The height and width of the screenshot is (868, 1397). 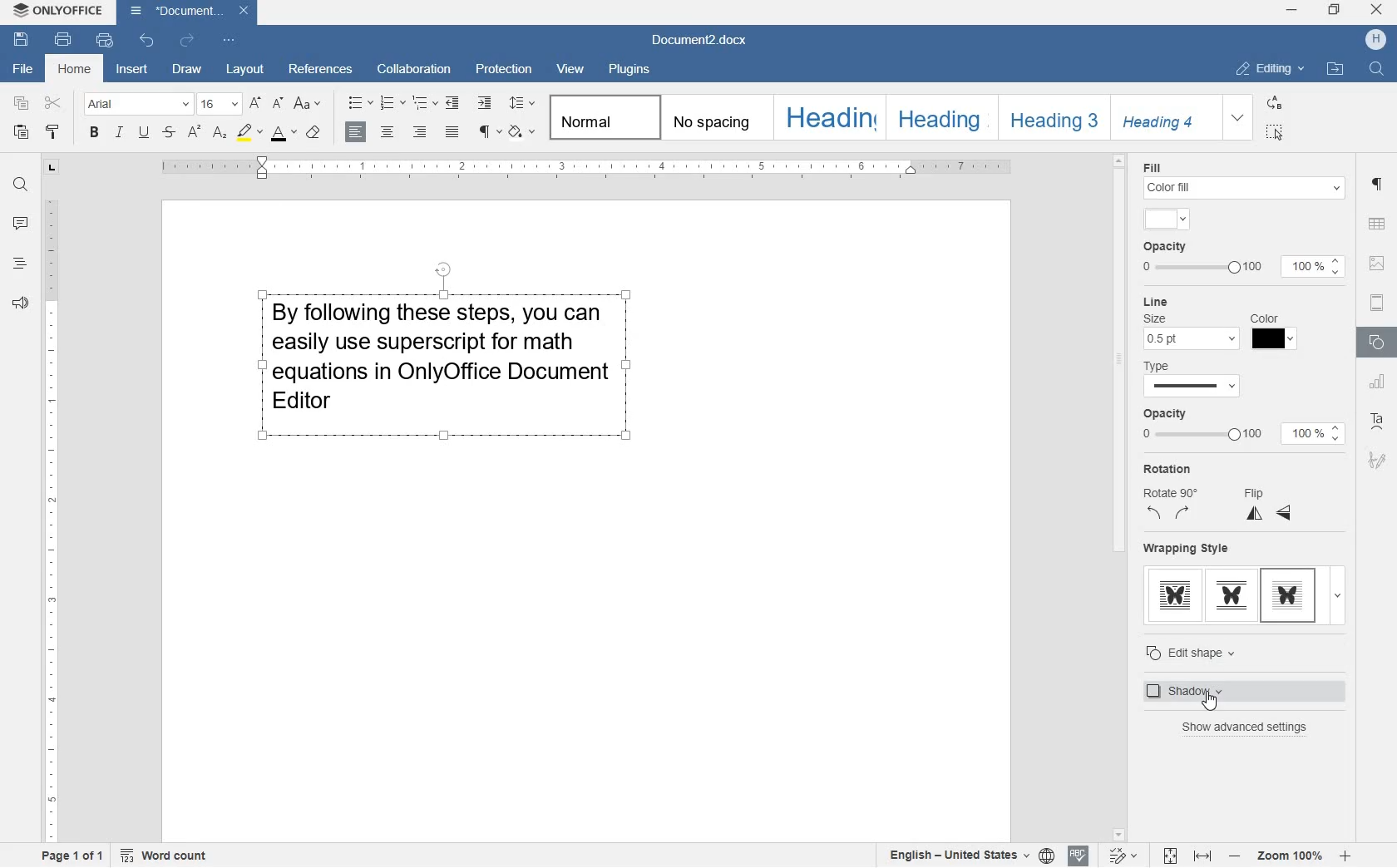 What do you see at coordinates (1335, 11) in the screenshot?
I see `restore` at bounding box center [1335, 11].